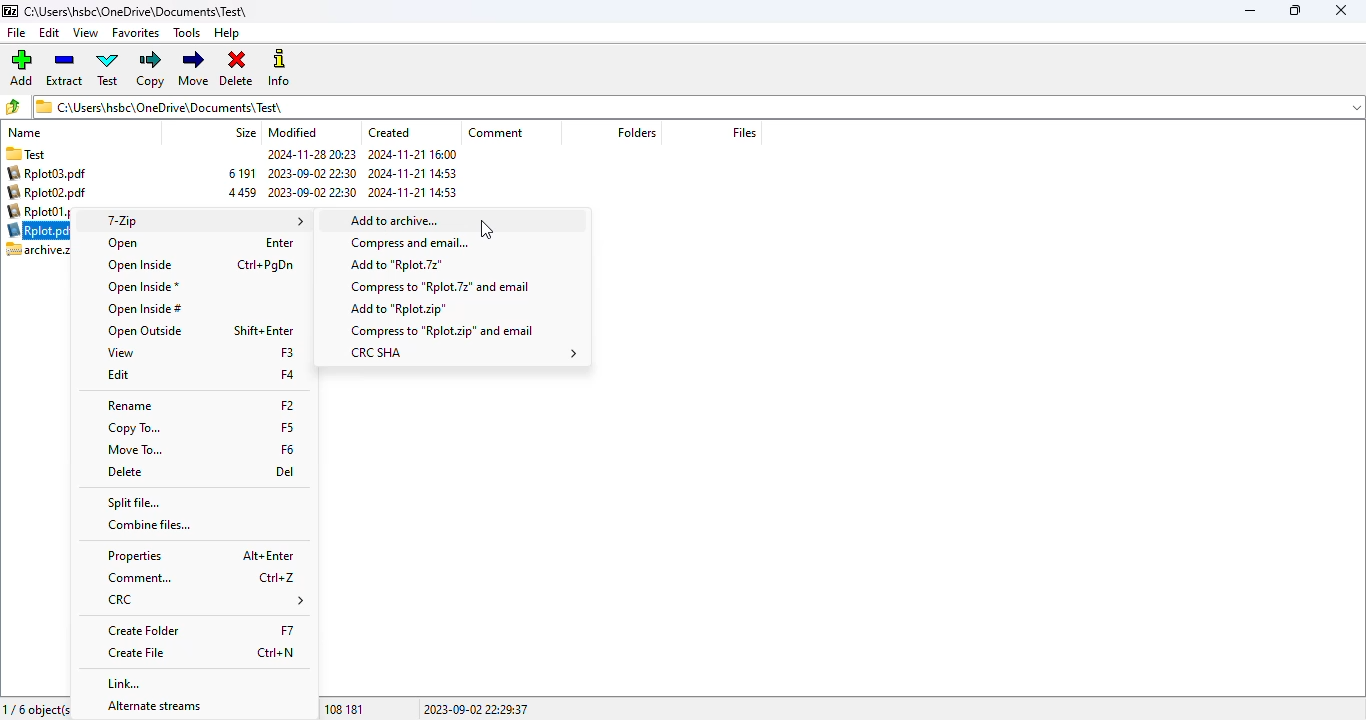 This screenshot has width=1366, height=720. Describe the element at coordinates (137, 449) in the screenshot. I see `move to` at that location.